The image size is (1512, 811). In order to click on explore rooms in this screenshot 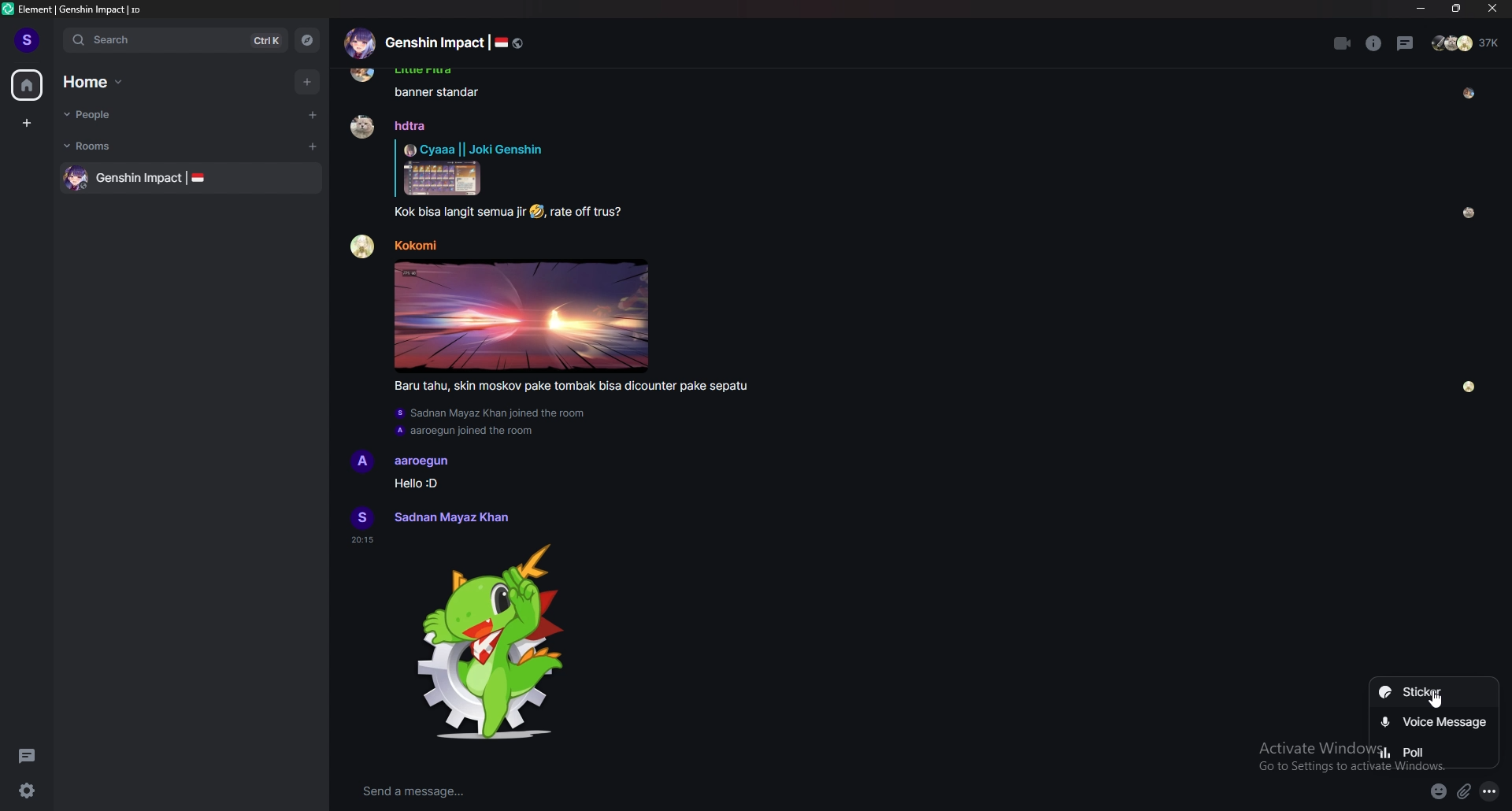, I will do `click(306, 40)`.